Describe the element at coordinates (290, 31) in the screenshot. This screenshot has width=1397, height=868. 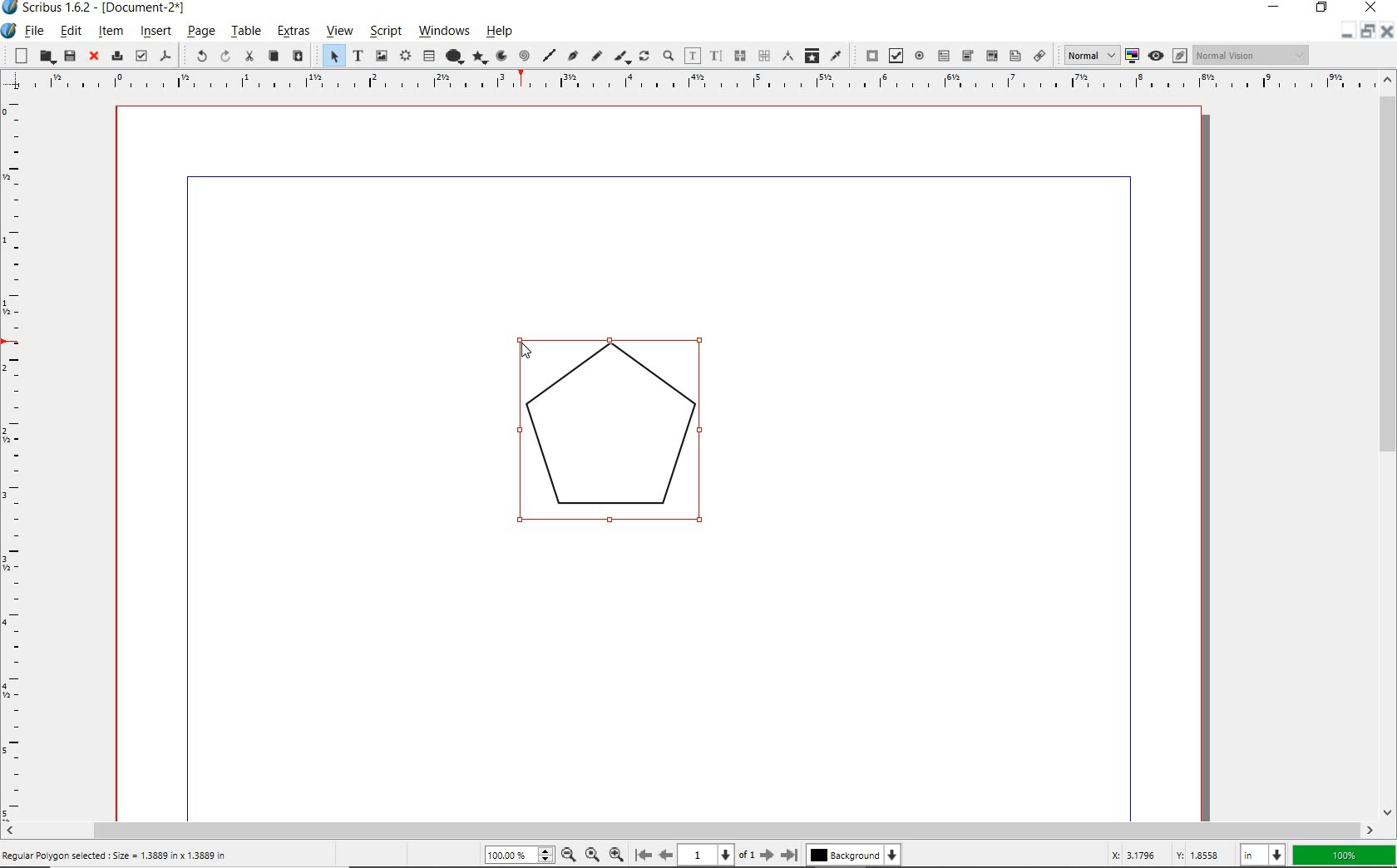
I see `extras` at that location.